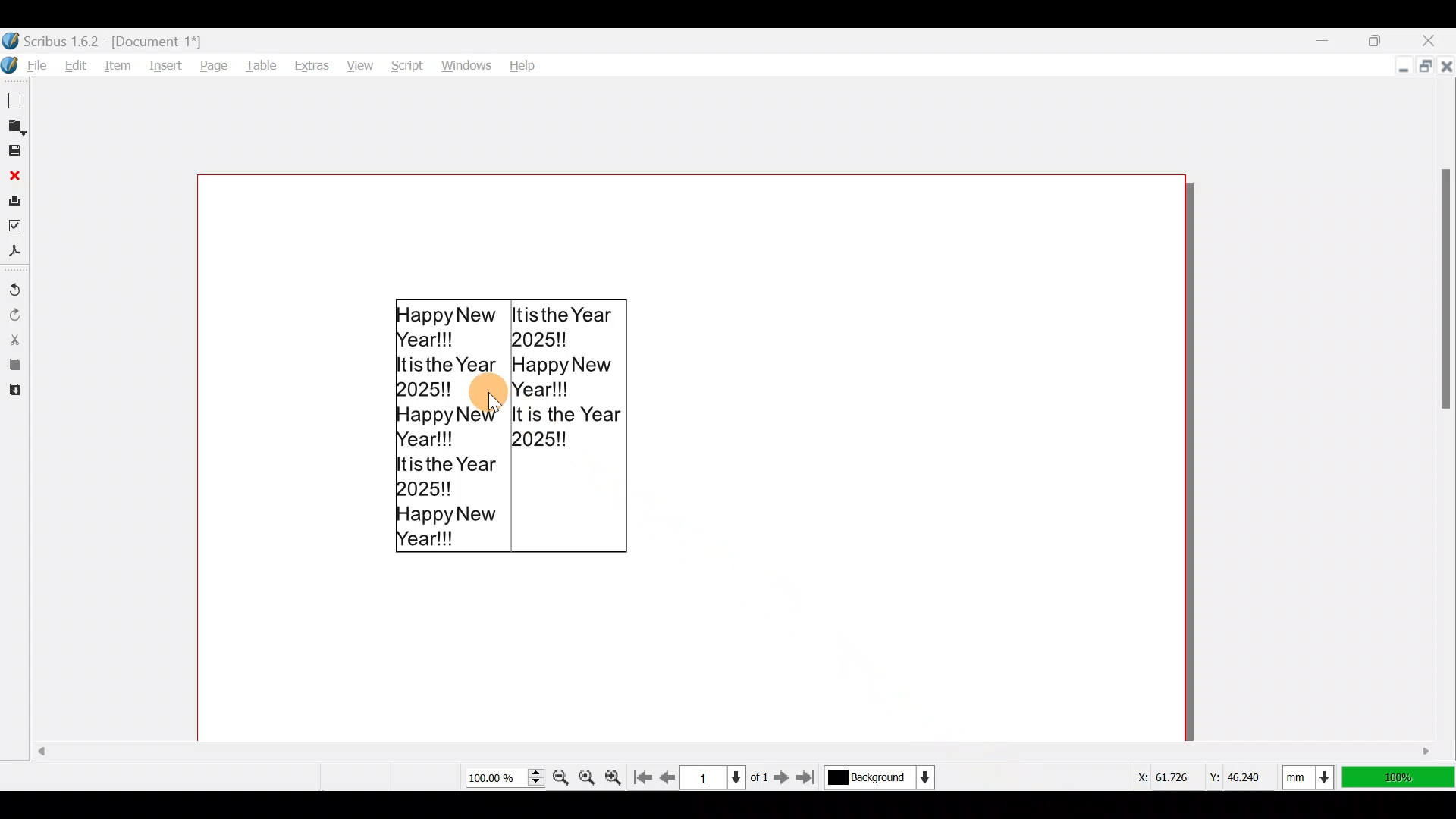 This screenshot has height=819, width=1456. What do you see at coordinates (312, 65) in the screenshot?
I see `Extras` at bounding box center [312, 65].